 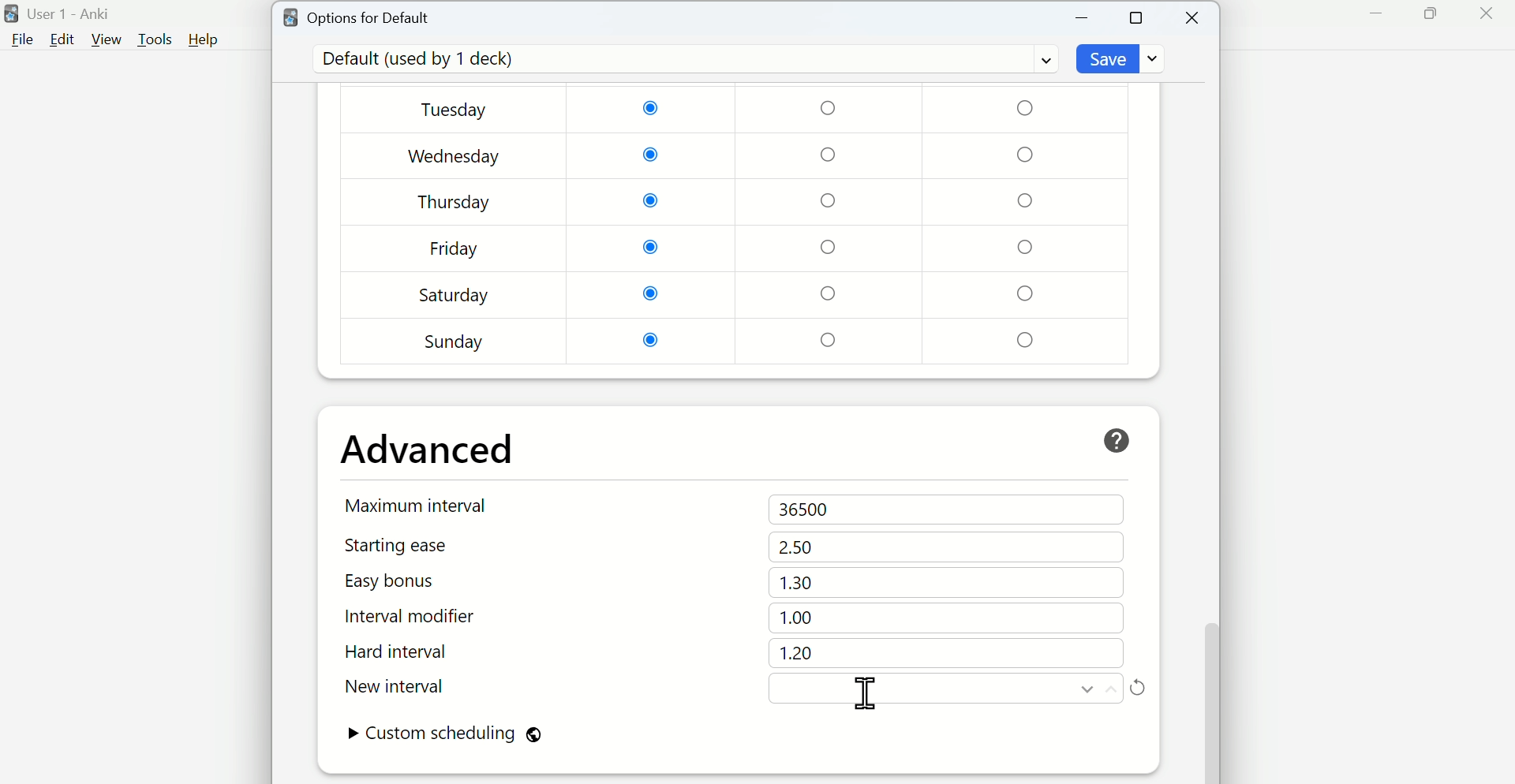 I want to click on Checkboxes, so click(x=832, y=225).